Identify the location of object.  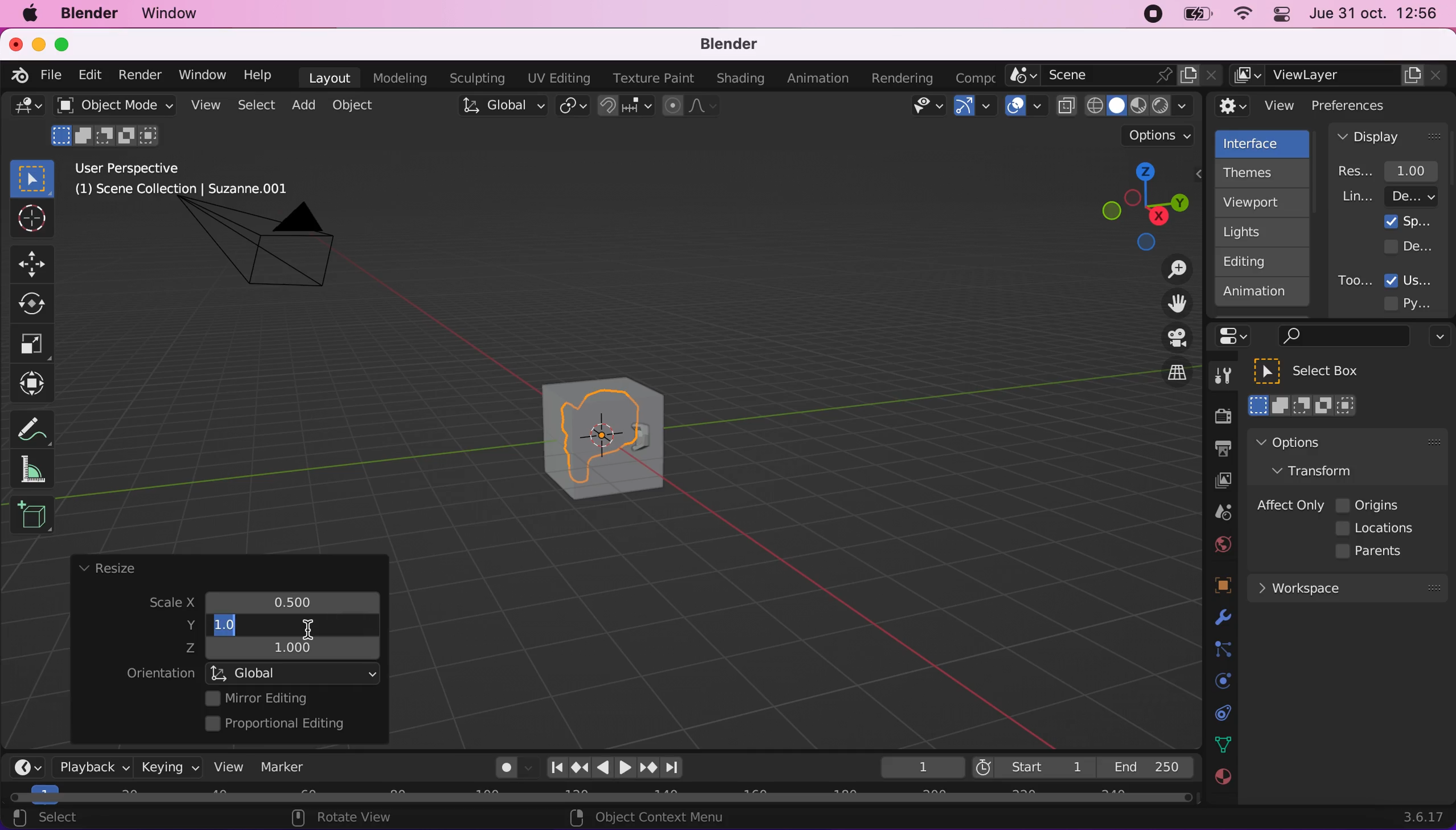
(356, 105).